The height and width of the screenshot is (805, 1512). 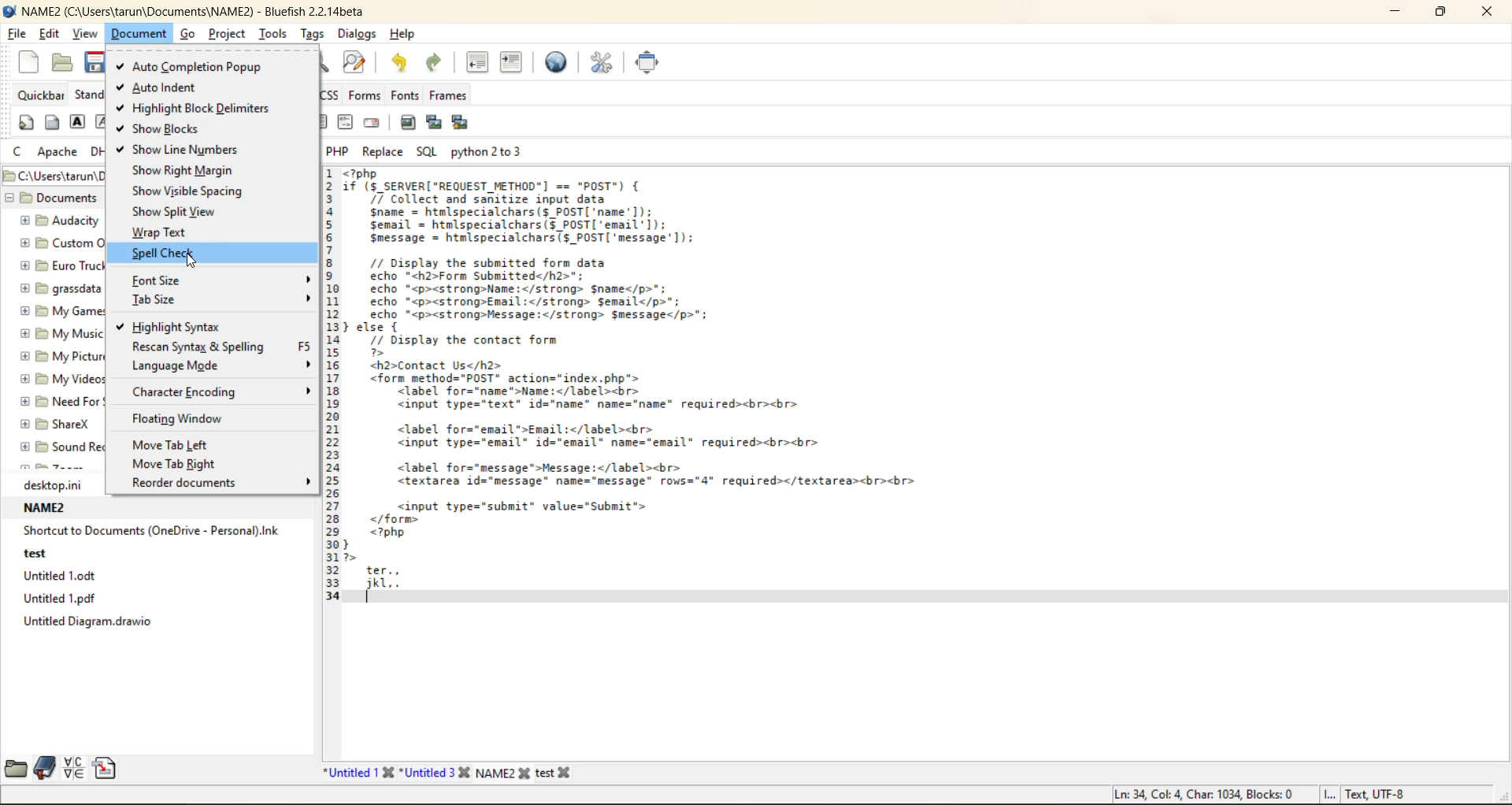 I want to click on fonts, so click(x=399, y=95).